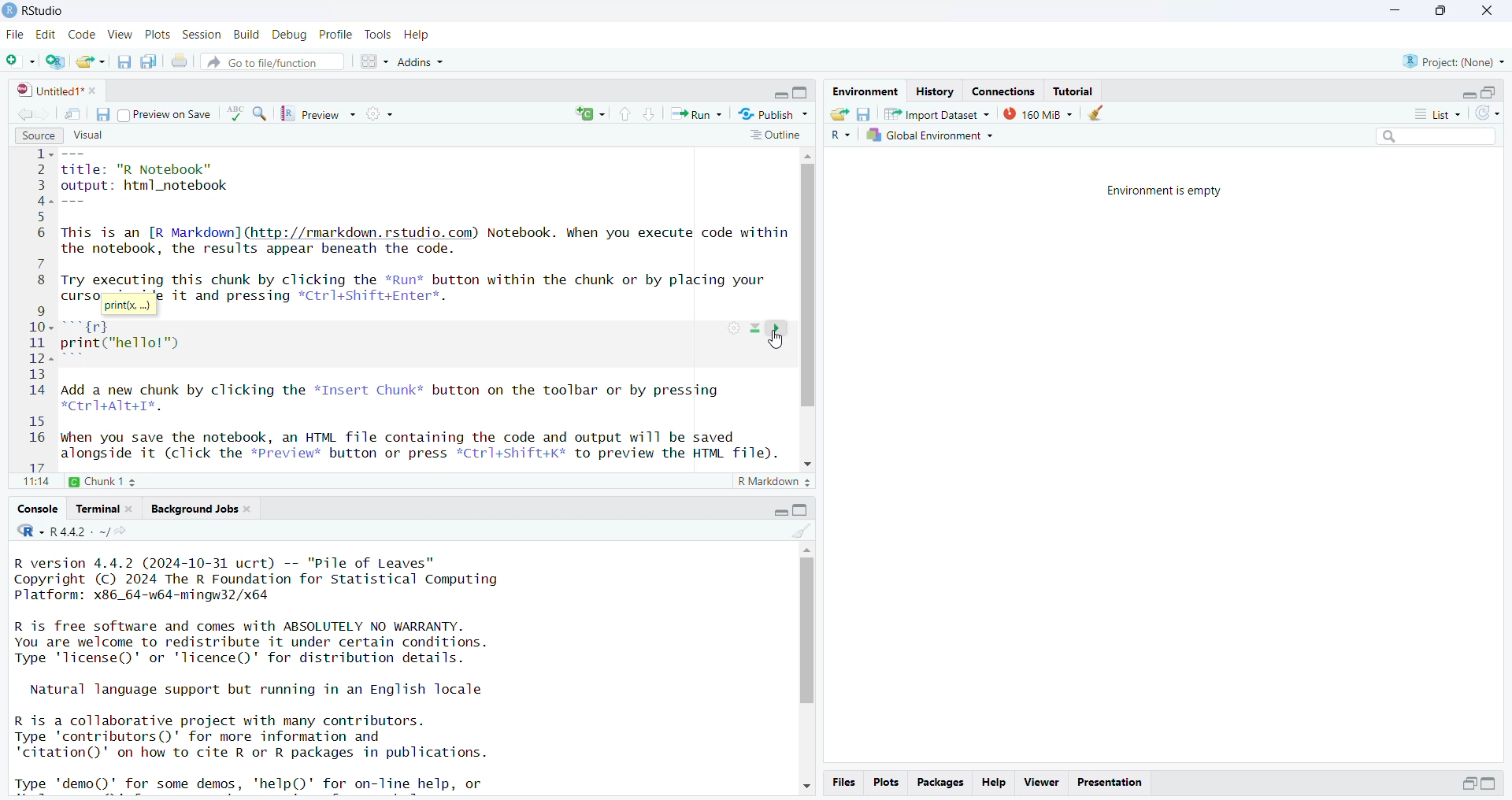  What do you see at coordinates (35, 10) in the screenshot?
I see `Rstudio` at bounding box center [35, 10].